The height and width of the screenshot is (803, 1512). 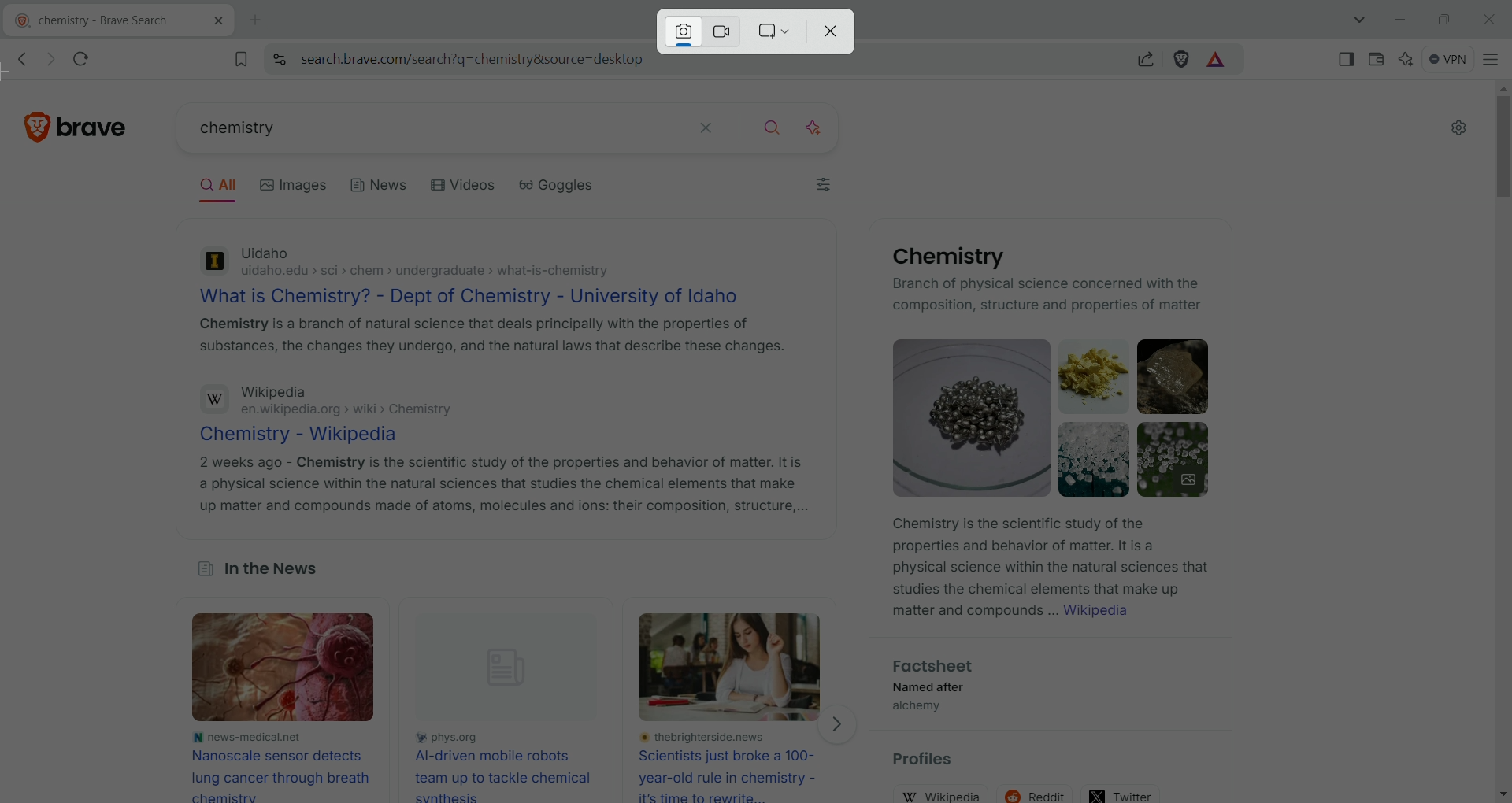 What do you see at coordinates (466, 187) in the screenshot?
I see `Videos` at bounding box center [466, 187].